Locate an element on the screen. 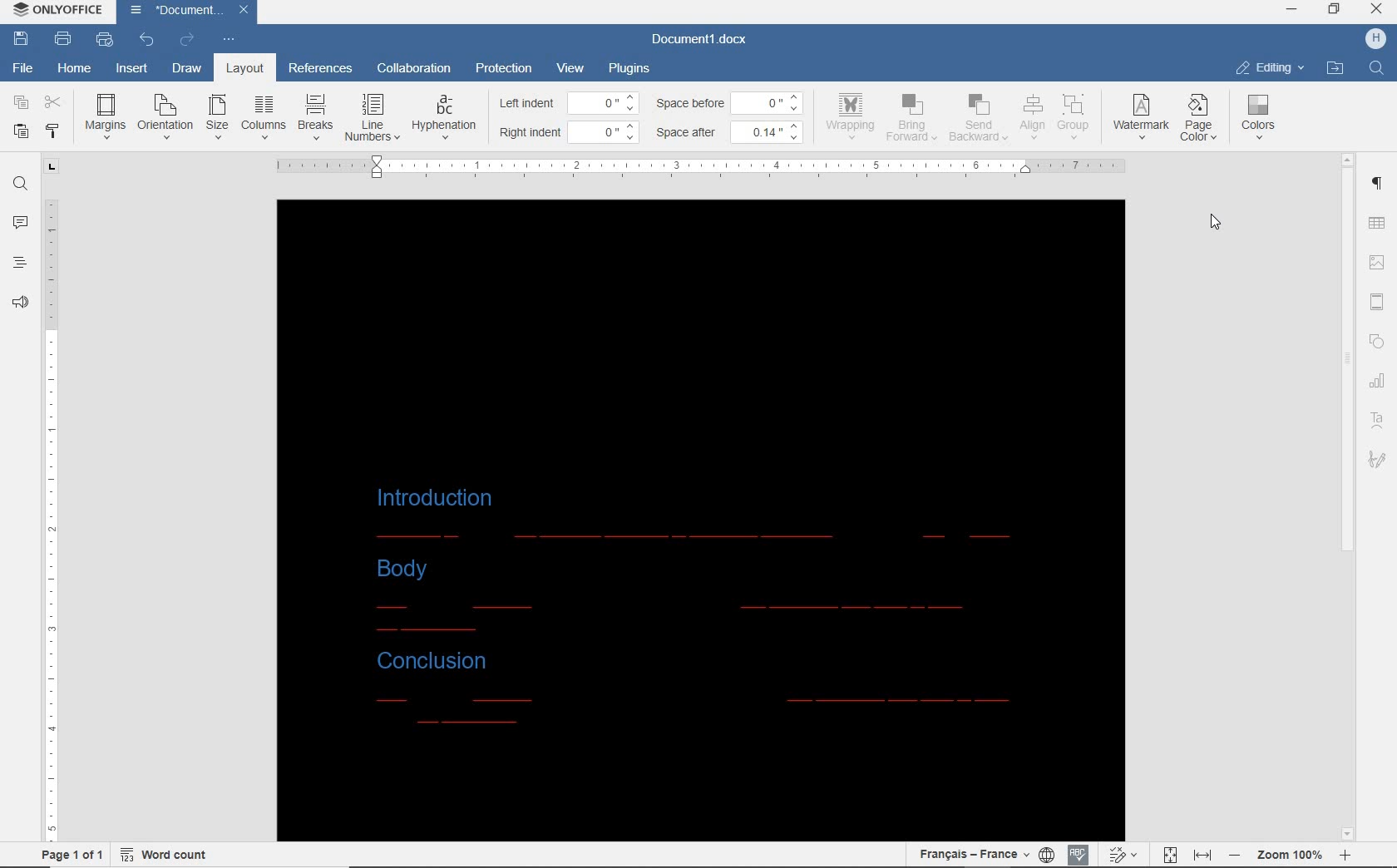 The width and height of the screenshot is (1397, 868). word count is located at coordinates (166, 854).